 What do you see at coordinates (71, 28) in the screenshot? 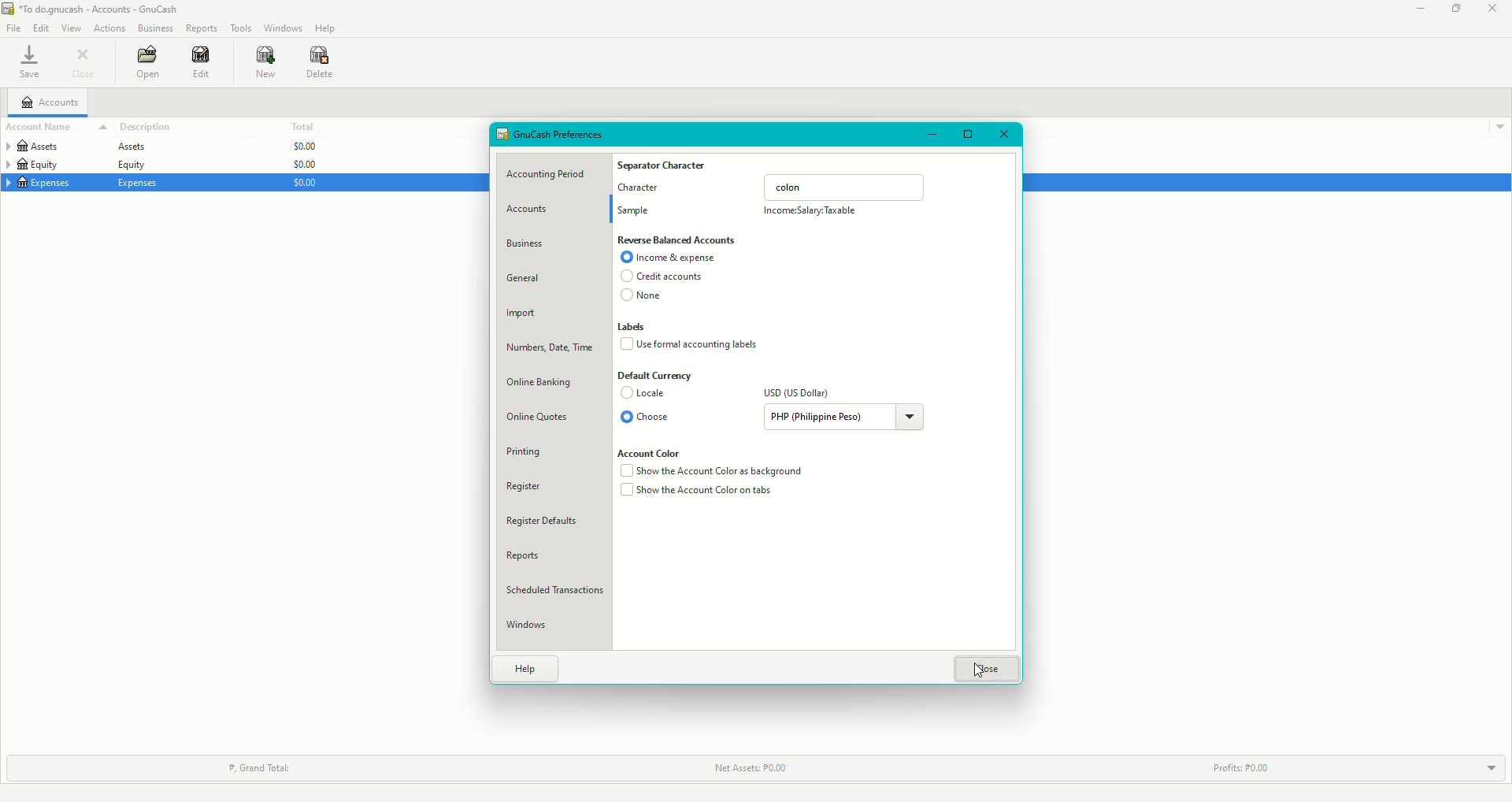
I see `View` at bounding box center [71, 28].